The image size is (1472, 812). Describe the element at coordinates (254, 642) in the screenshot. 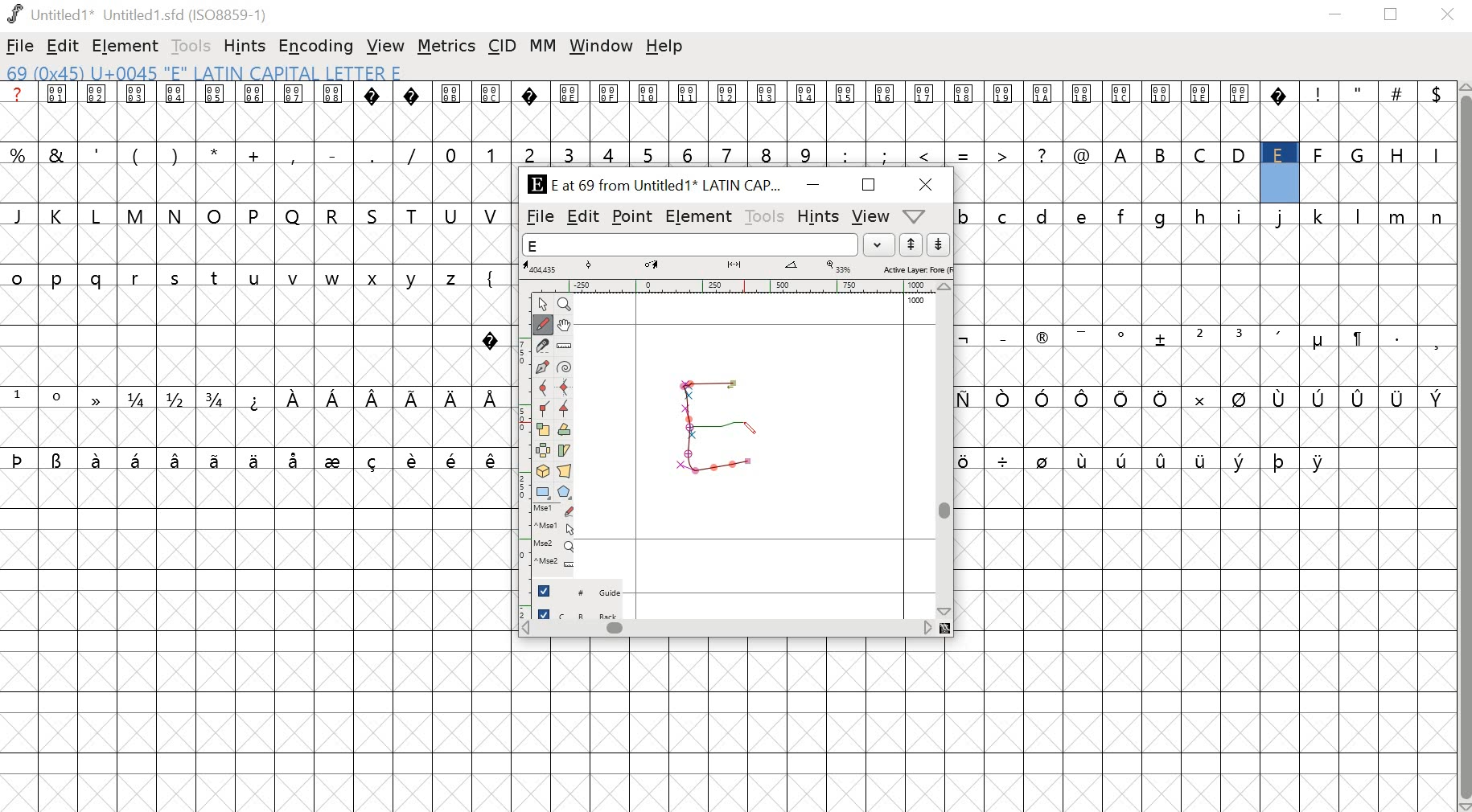

I see `empty cells` at that location.